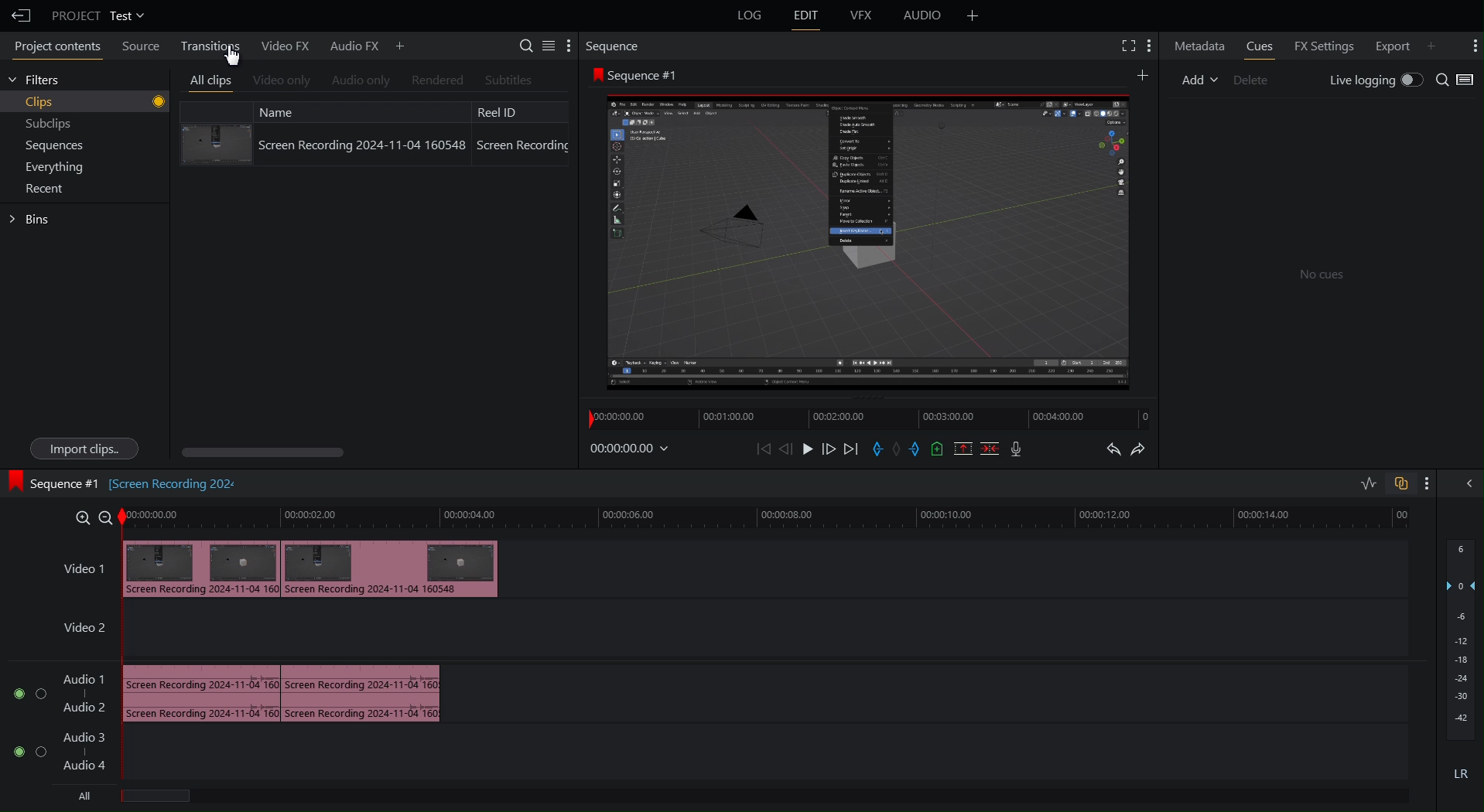  Describe the element at coordinates (919, 452) in the screenshot. I see `Exit Marker` at that location.